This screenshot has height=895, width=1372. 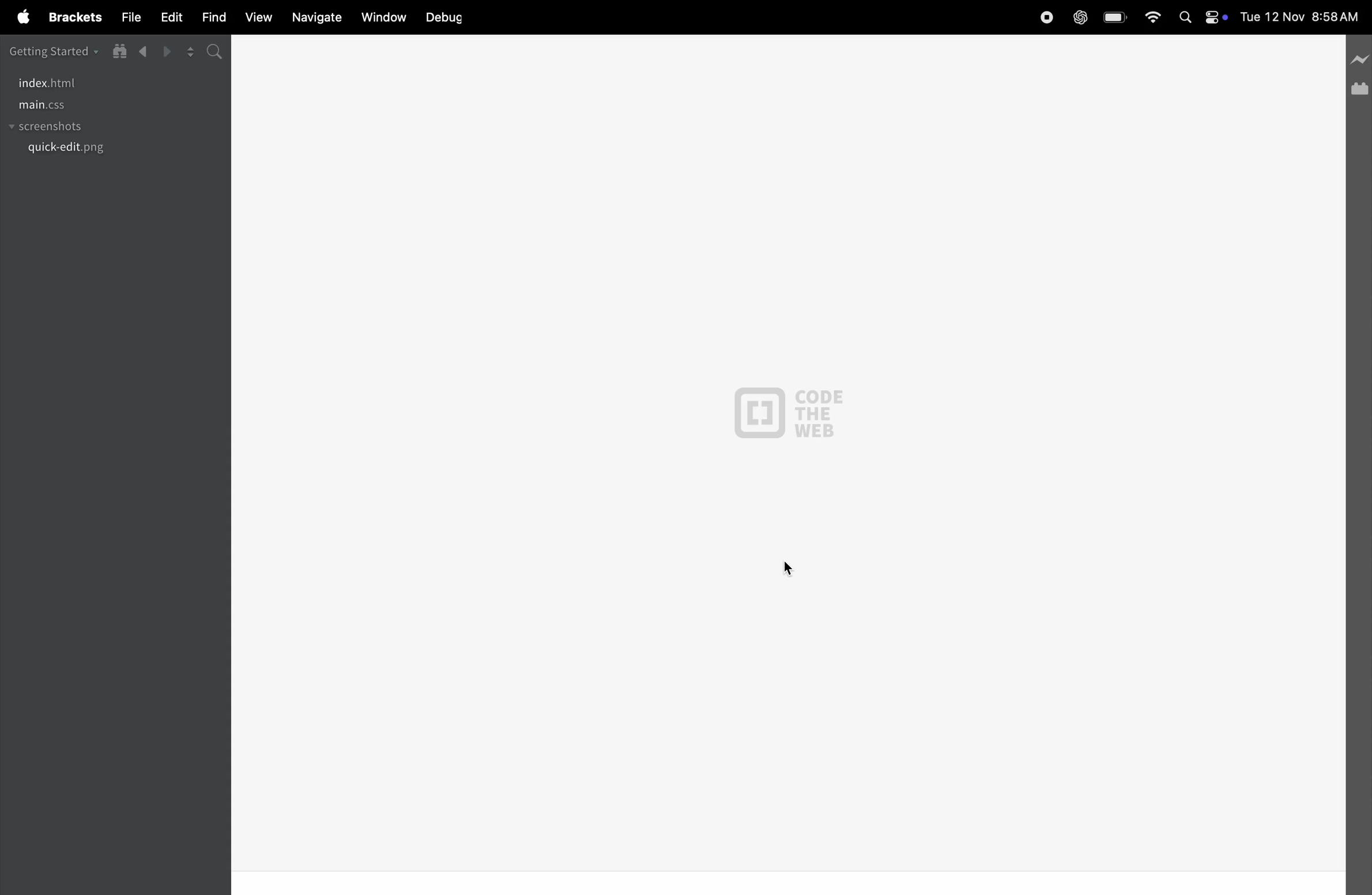 I want to click on window, so click(x=380, y=18).